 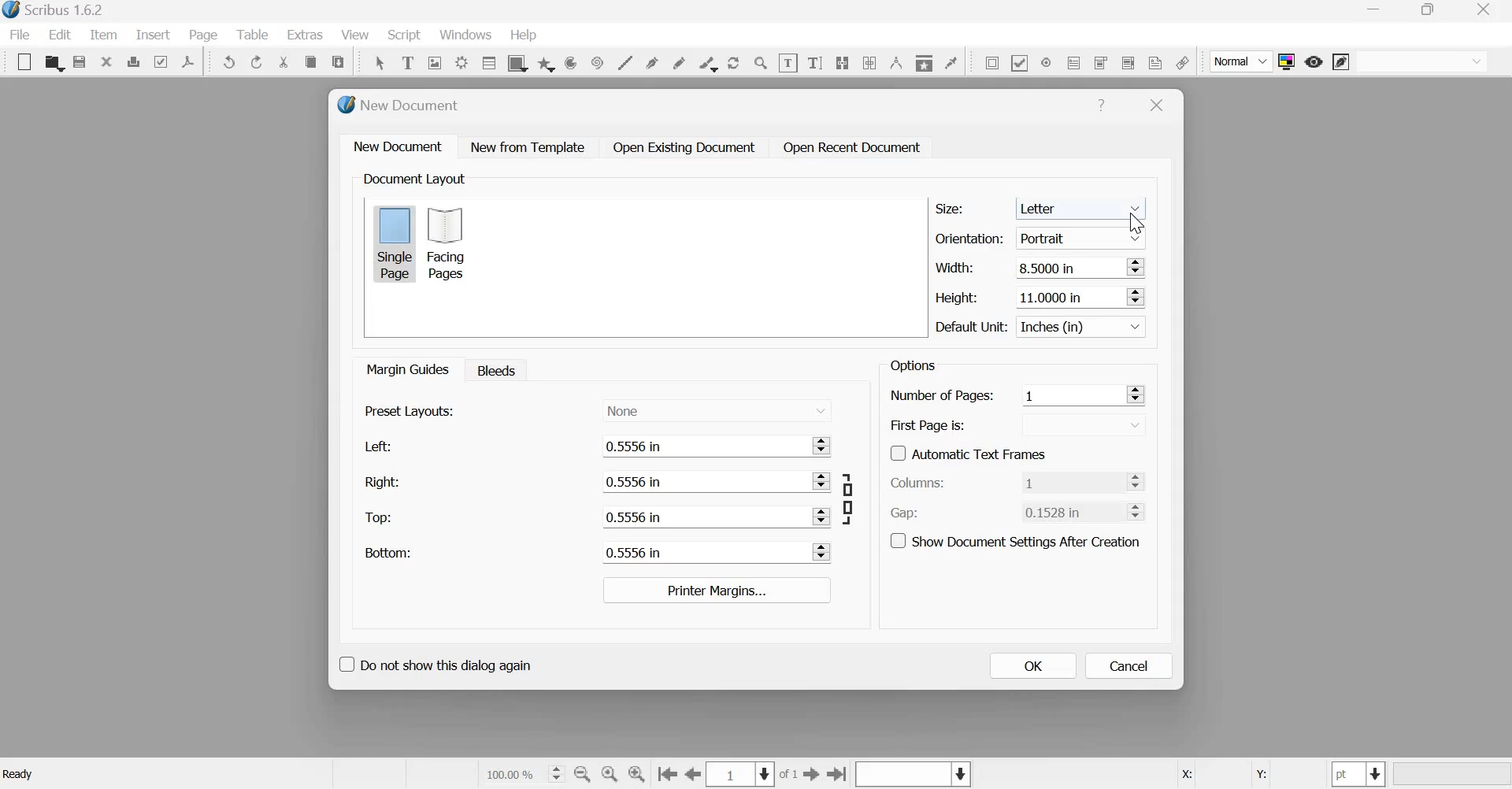 What do you see at coordinates (624, 61) in the screenshot?
I see `line` at bounding box center [624, 61].